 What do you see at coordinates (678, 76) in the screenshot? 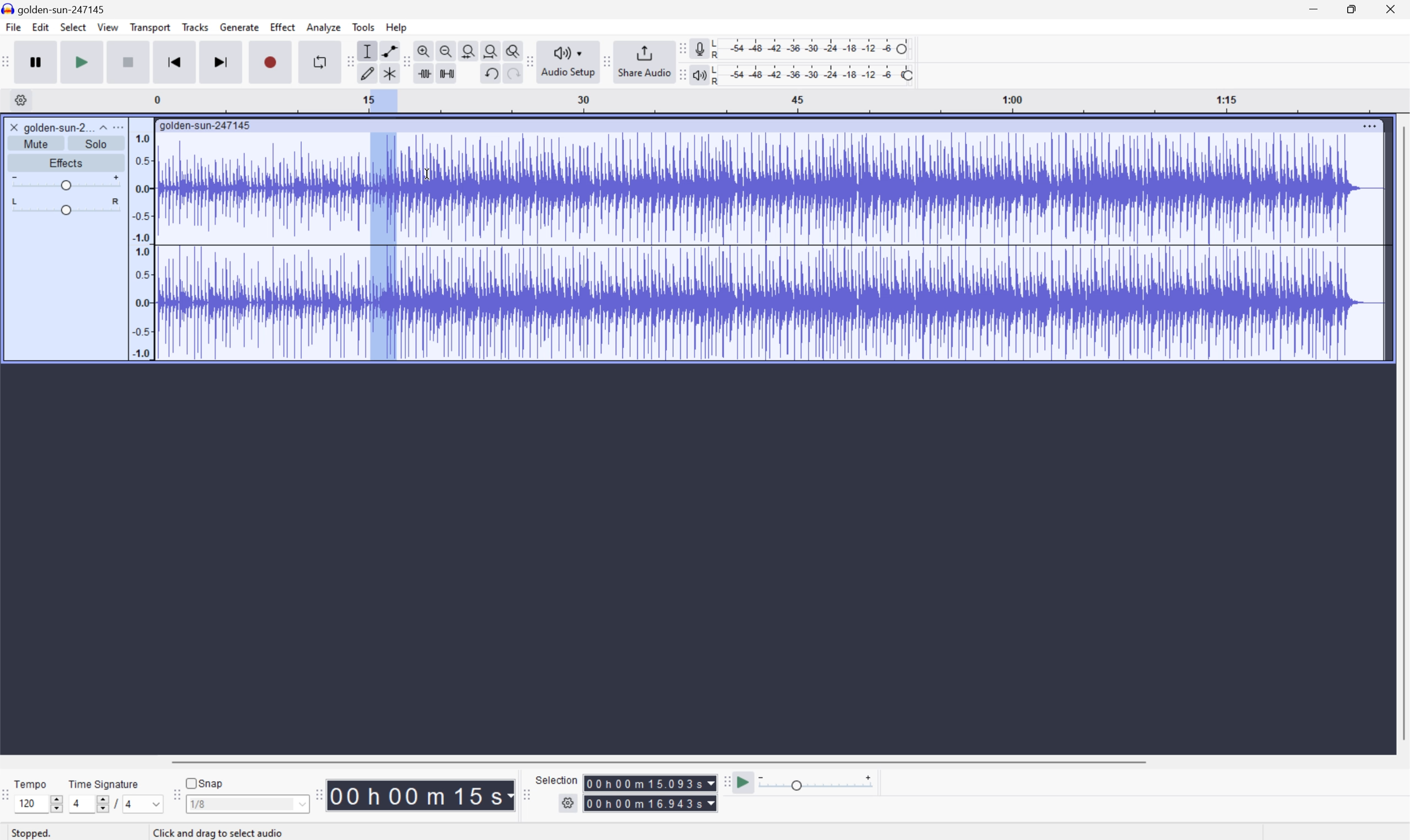
I see `Audacity playback meter toolbar` at bounding box center [678, 76].